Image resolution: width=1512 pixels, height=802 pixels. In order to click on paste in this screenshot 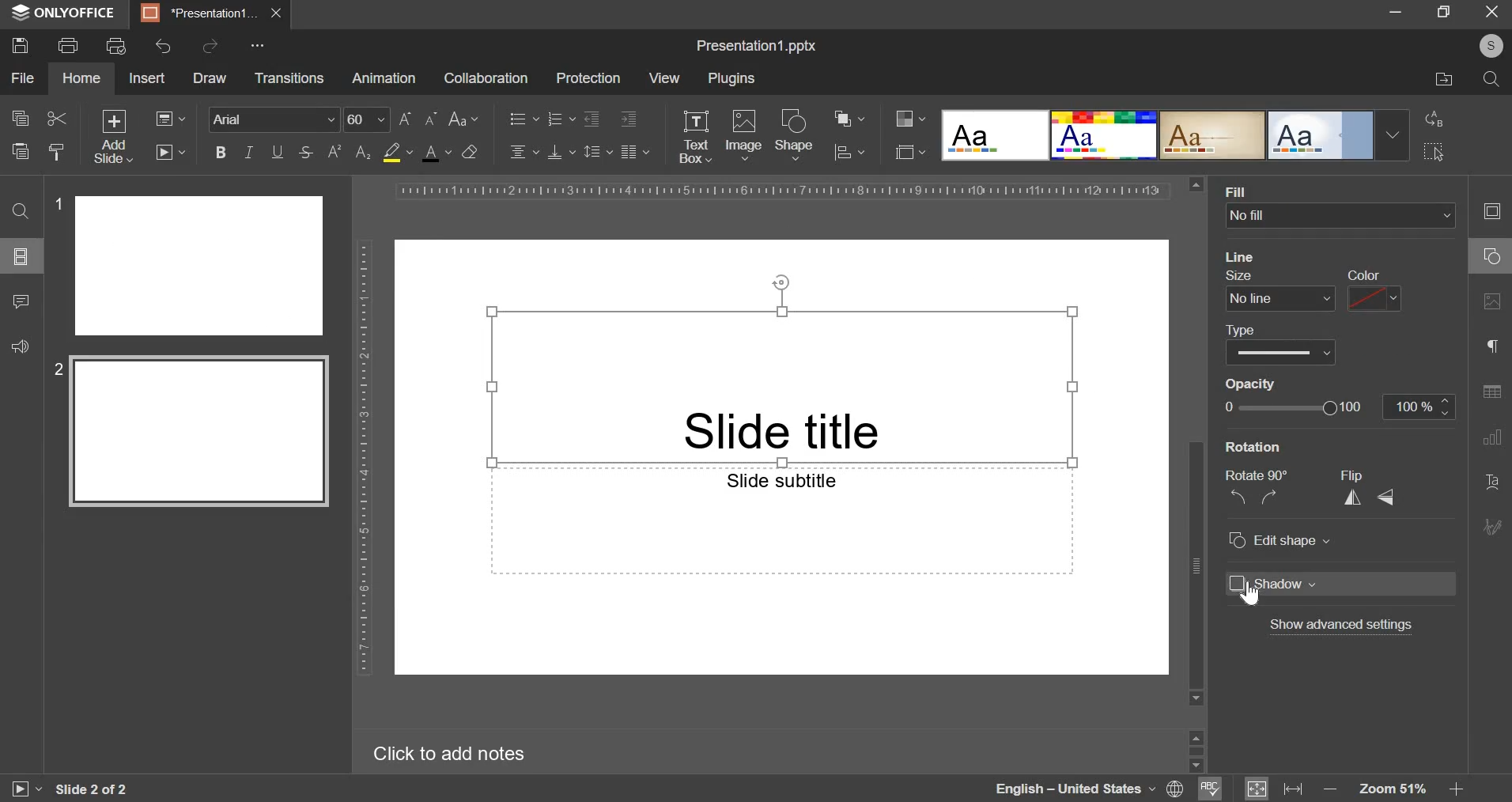, I will do `click(19, 149)`.